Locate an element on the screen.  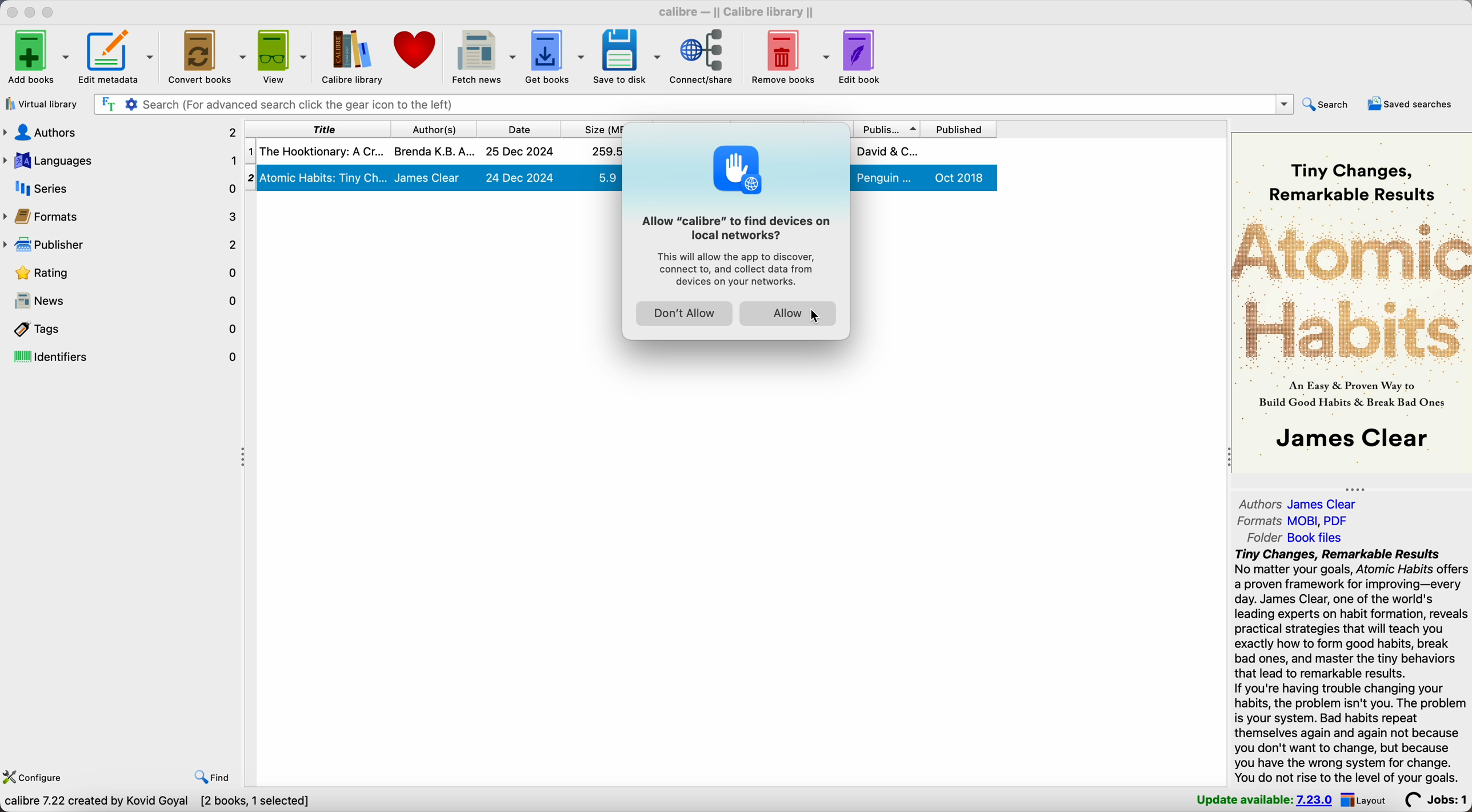
publisher is located at coordinates (121, 245).